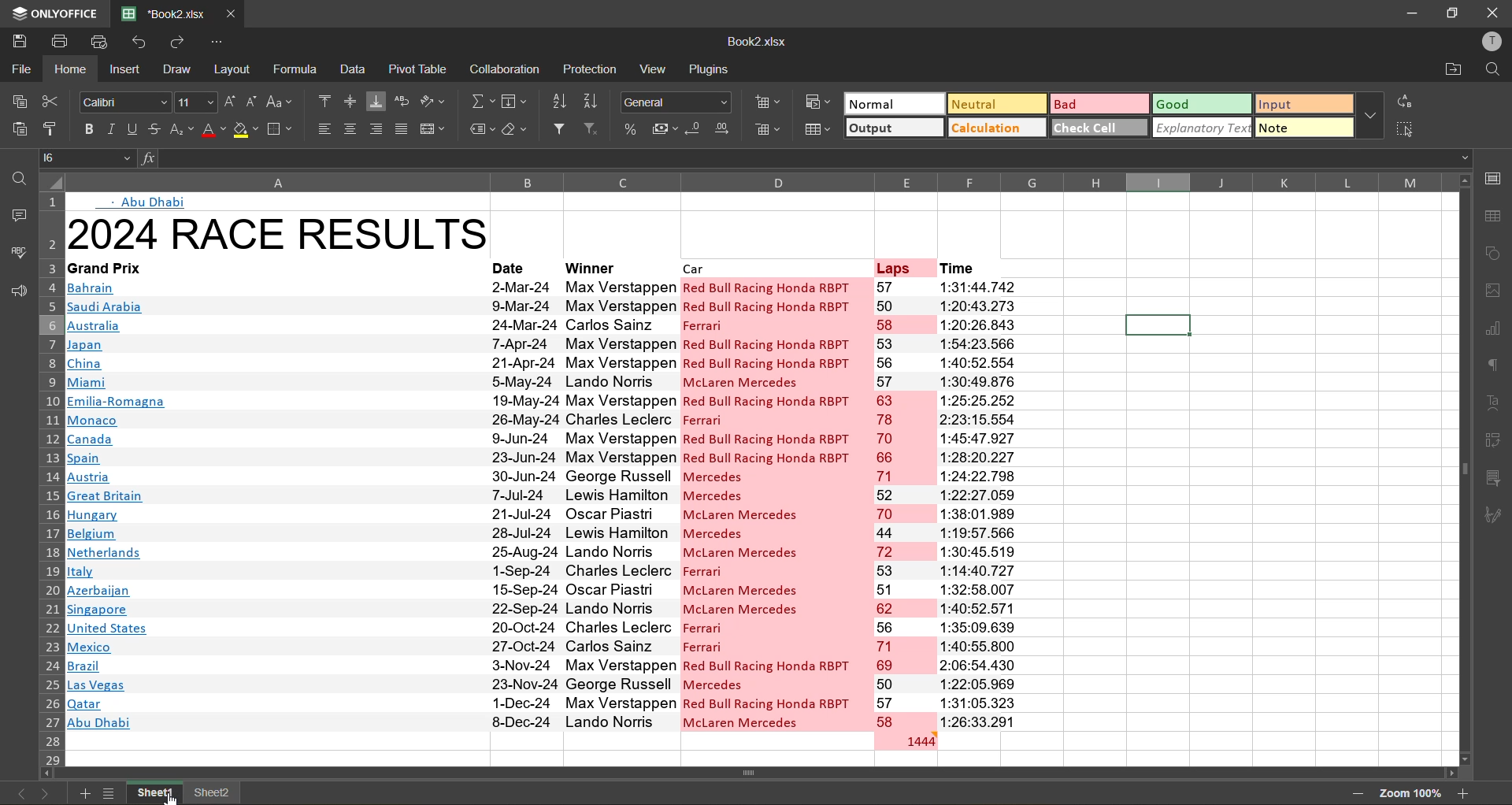 Image resolution: width=1512 pixels, height=805 pixels. What do you see at coordinates (902, 266) in the screenshot?
I see `laps` at bounding box center [902, 266].